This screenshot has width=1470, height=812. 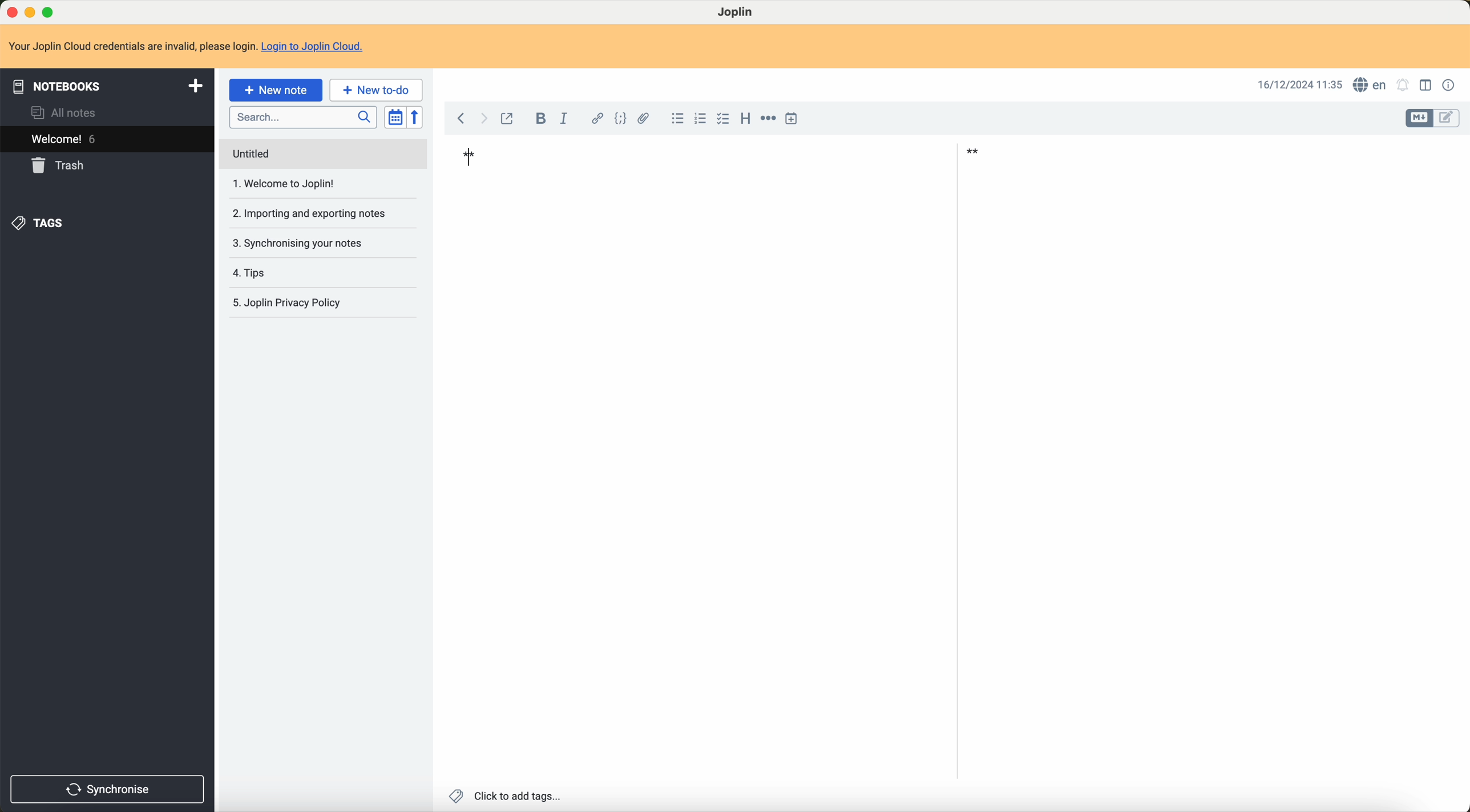 What do you see at coordinates (717, 155) in the screenshot?
I see `**typing quote*` at bounding box center [717, 155].